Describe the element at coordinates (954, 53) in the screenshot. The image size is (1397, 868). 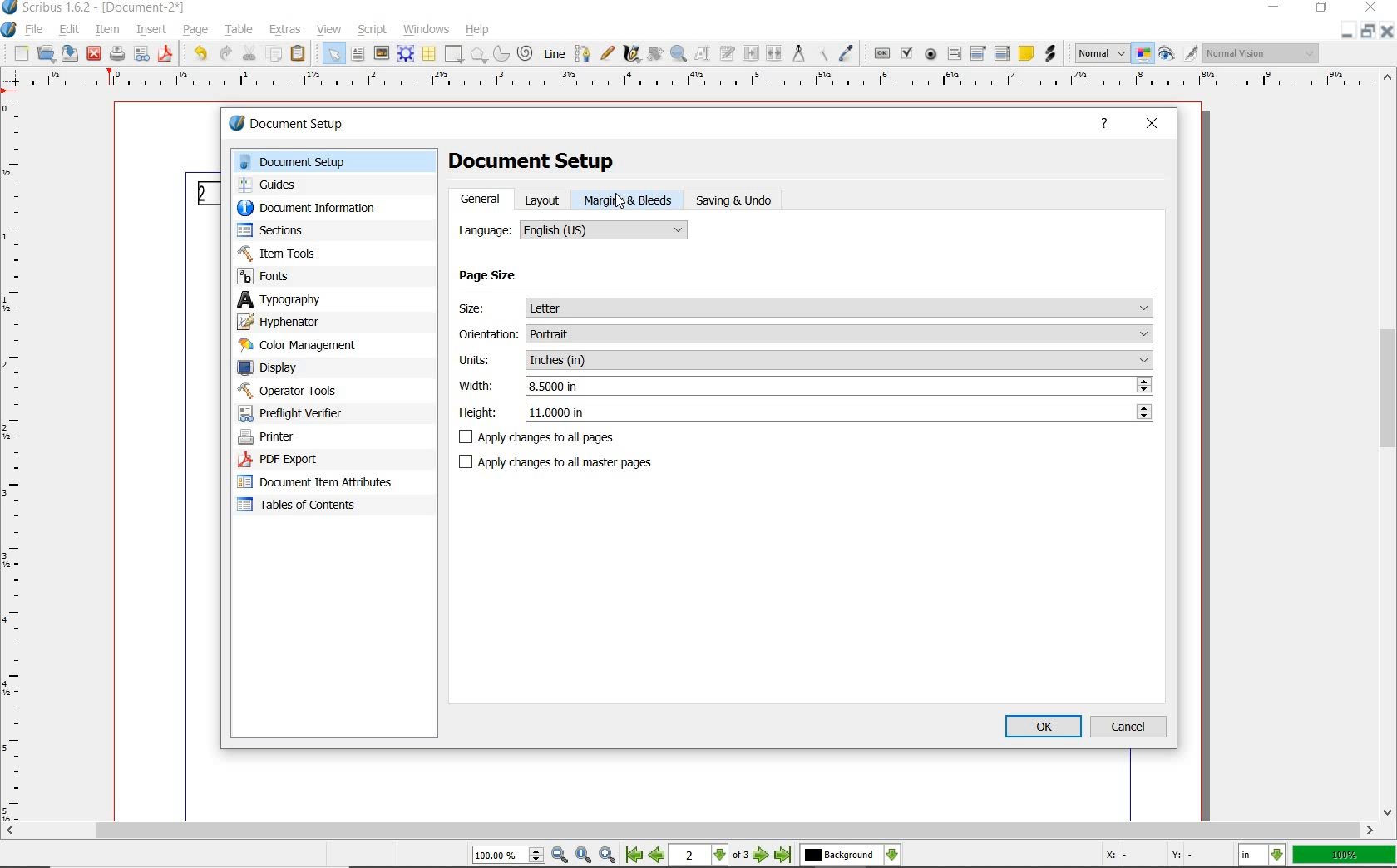
I see `pdf text field` at that location.